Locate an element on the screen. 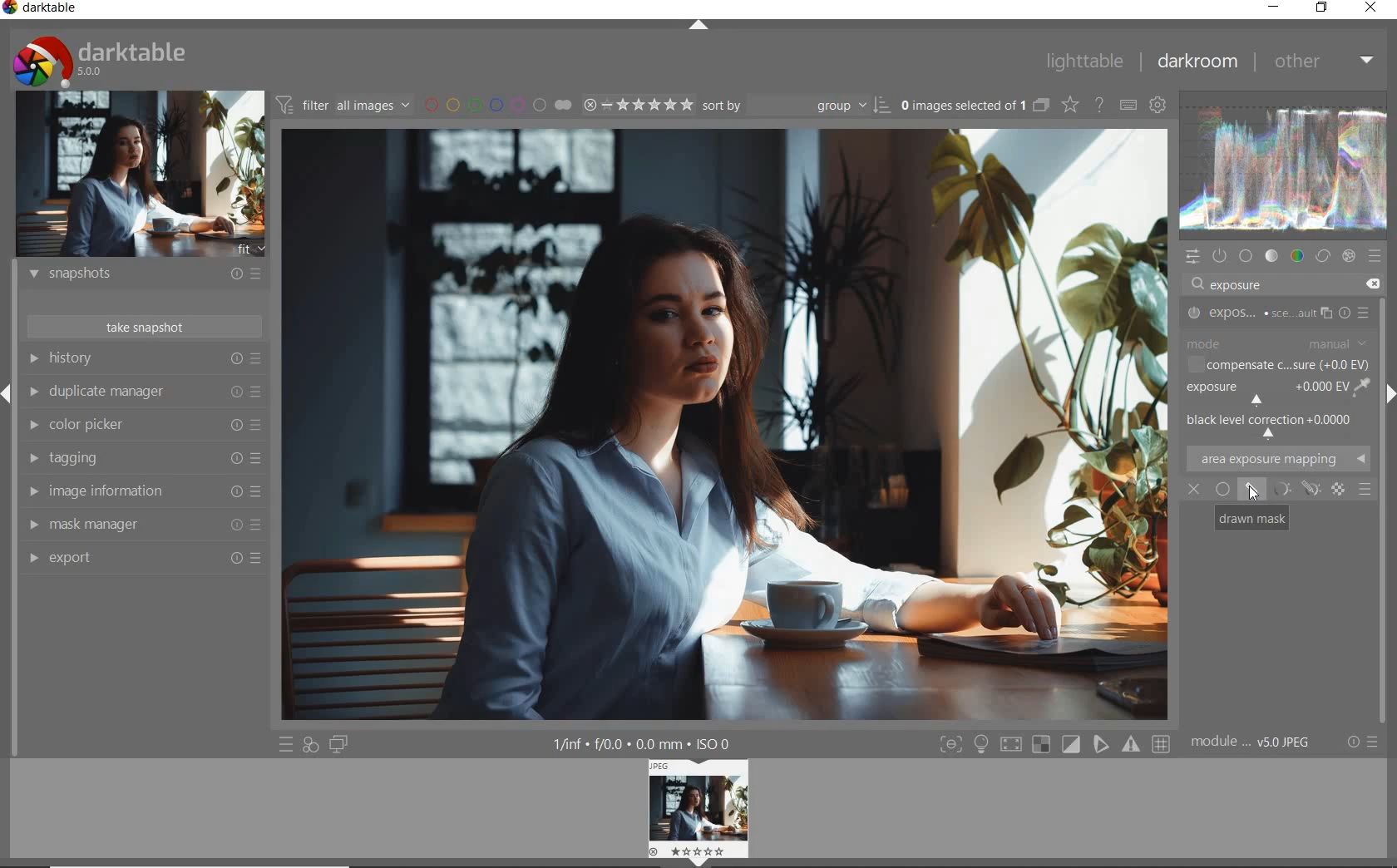 This screenshot has width=1397, height=868. color is located at coordinates (1298, 256).